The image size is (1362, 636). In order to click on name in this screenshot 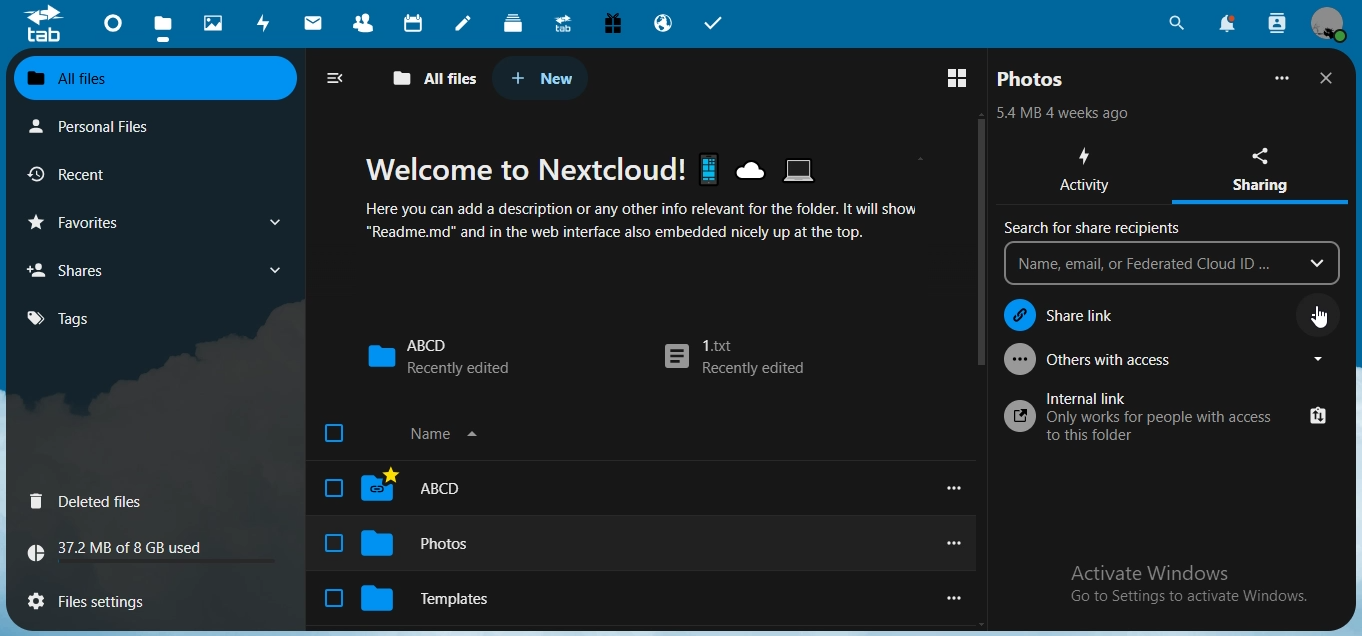, I will do `click(448, 437)`.